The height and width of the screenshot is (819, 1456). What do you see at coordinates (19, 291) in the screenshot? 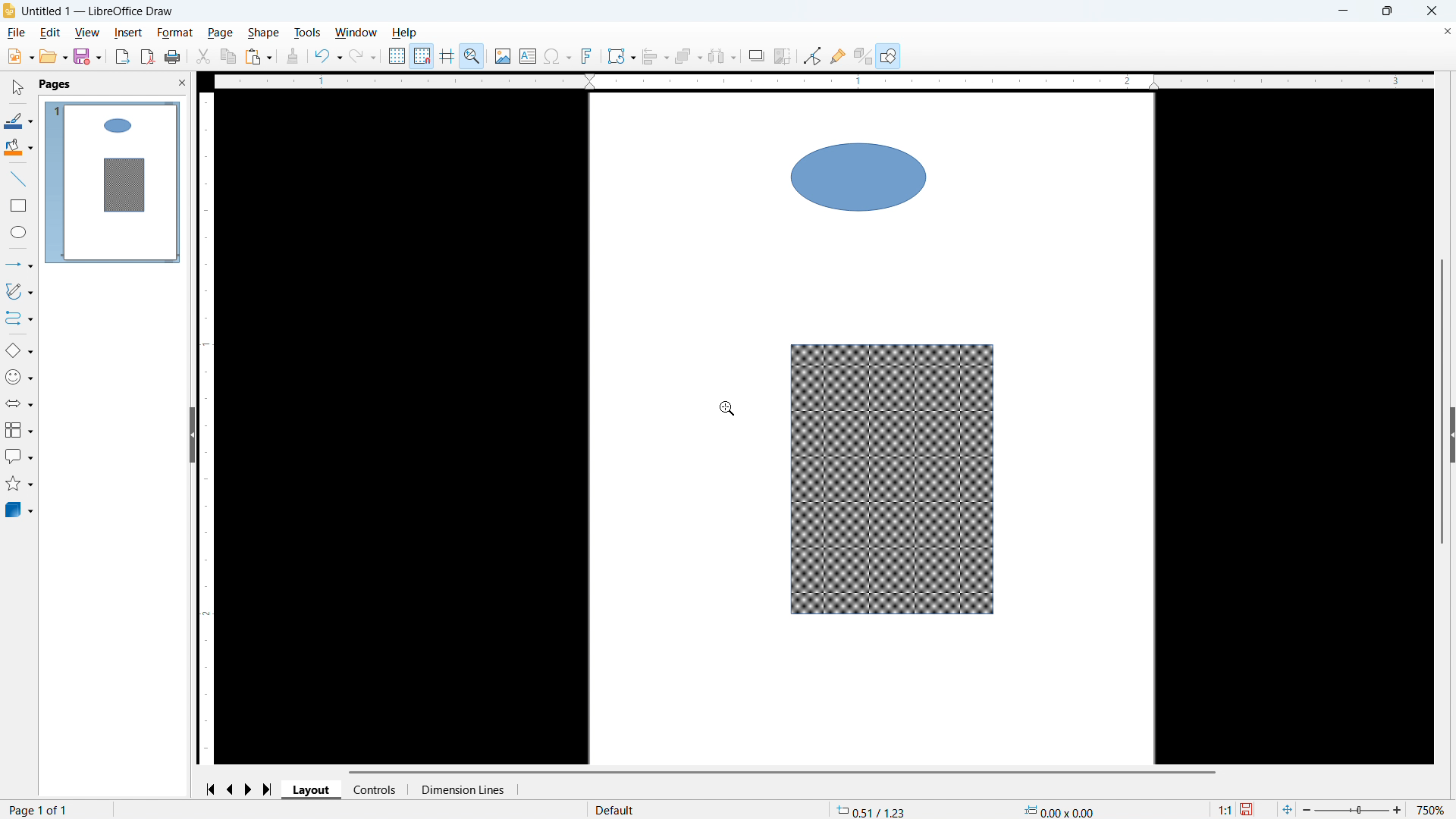
I see `Curves and polygons ` at bounding box center [19, 291].